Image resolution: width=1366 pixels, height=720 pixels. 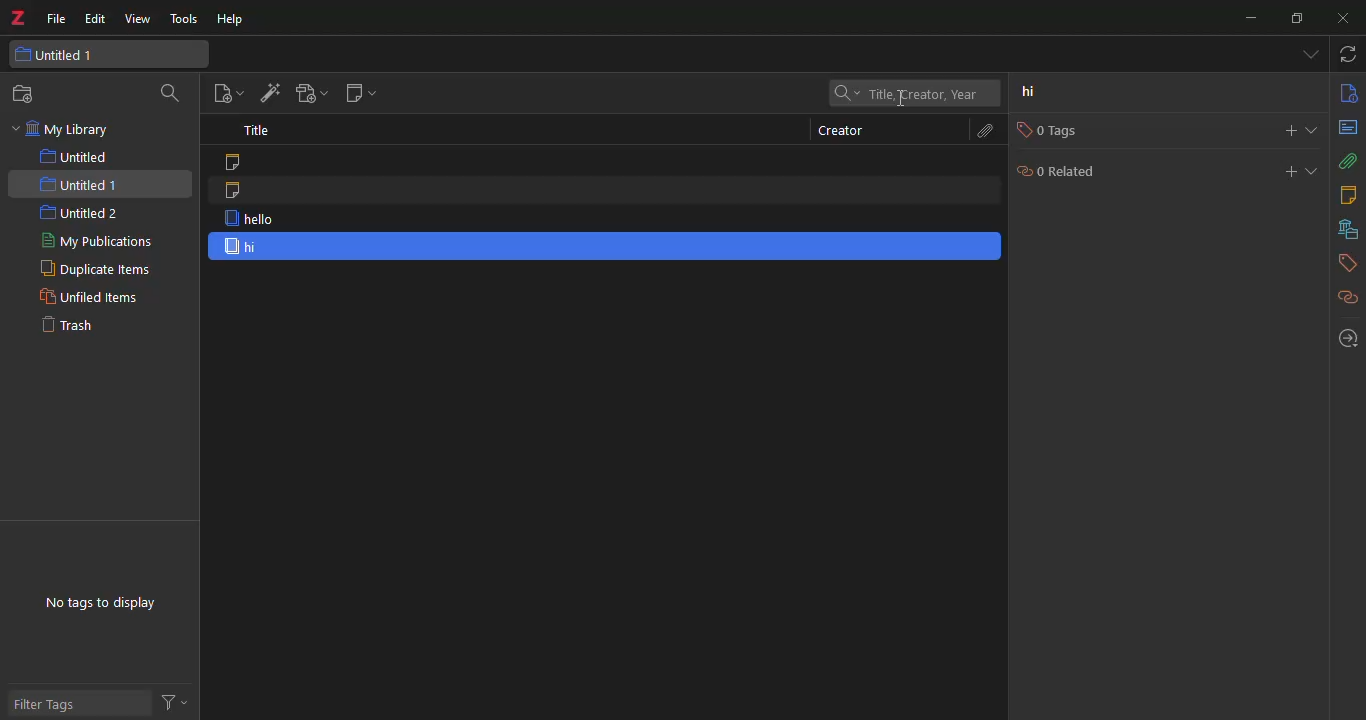 What do you see at coordinates (1311, 170) in the screenshot?
I see `expand` at bounding box center [1311, 170].